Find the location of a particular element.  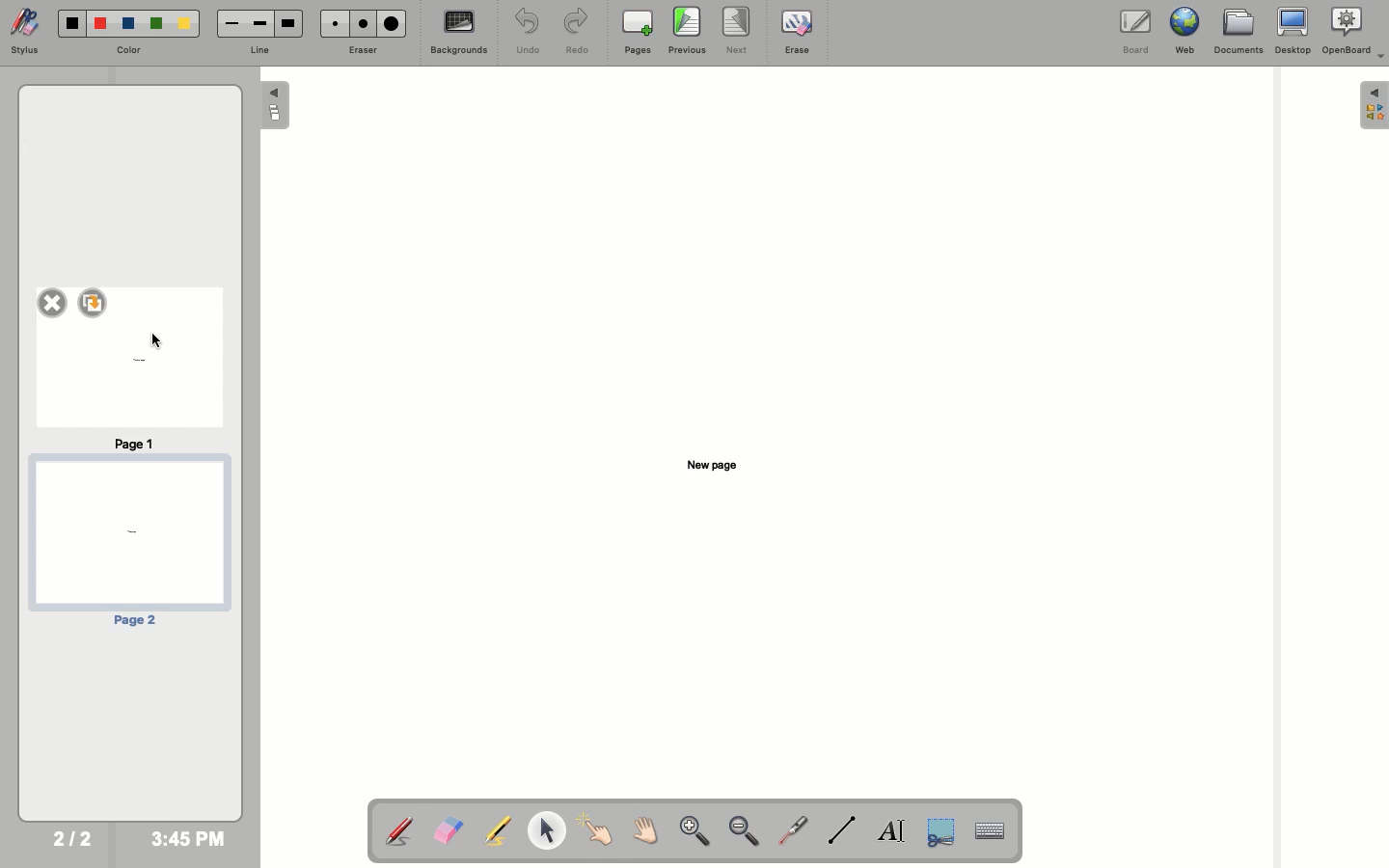

Next is located at coordinates (737, 30).